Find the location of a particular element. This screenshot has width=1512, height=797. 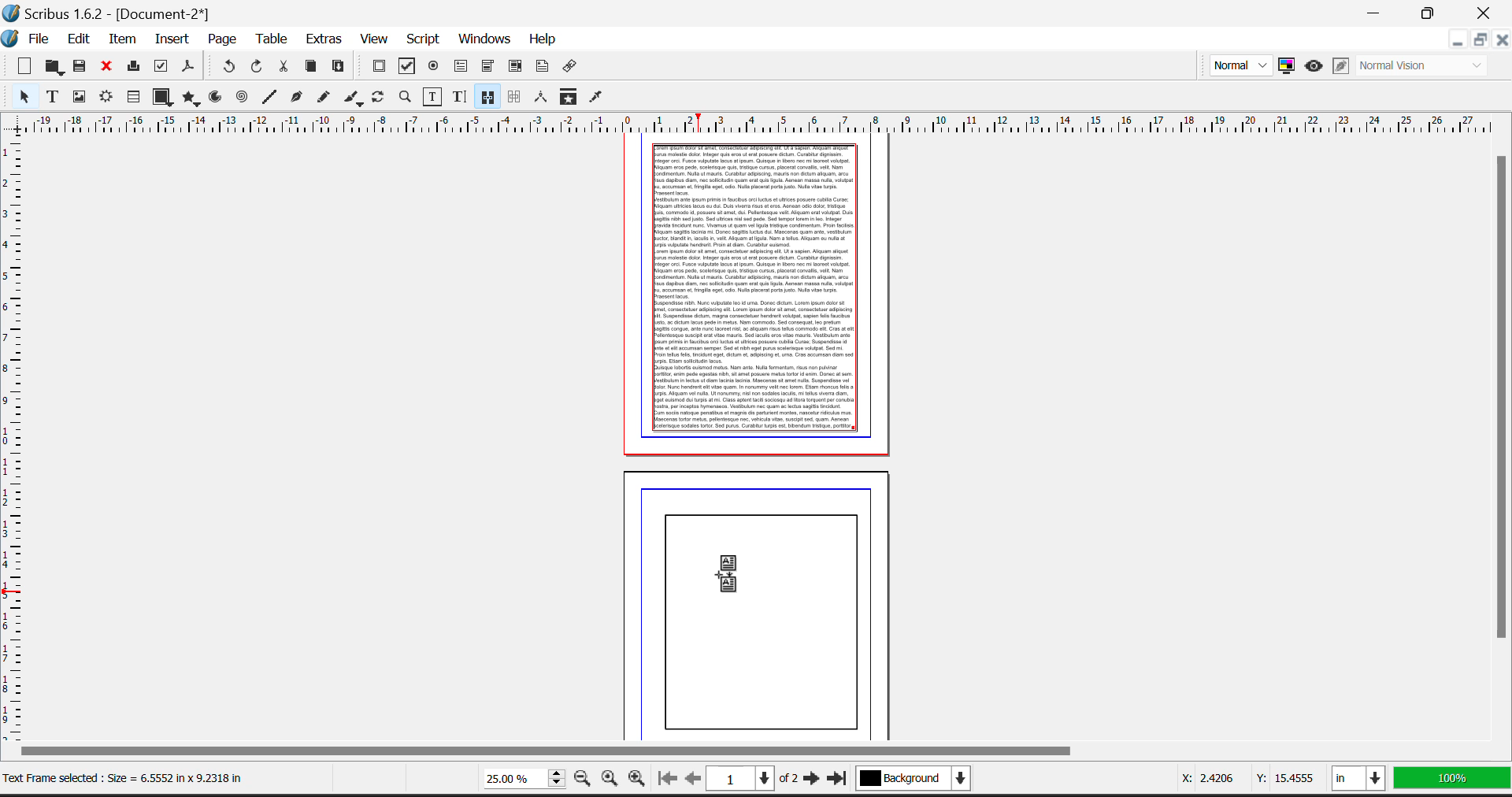

Bezier Curve is located at coordinates (295, 98).